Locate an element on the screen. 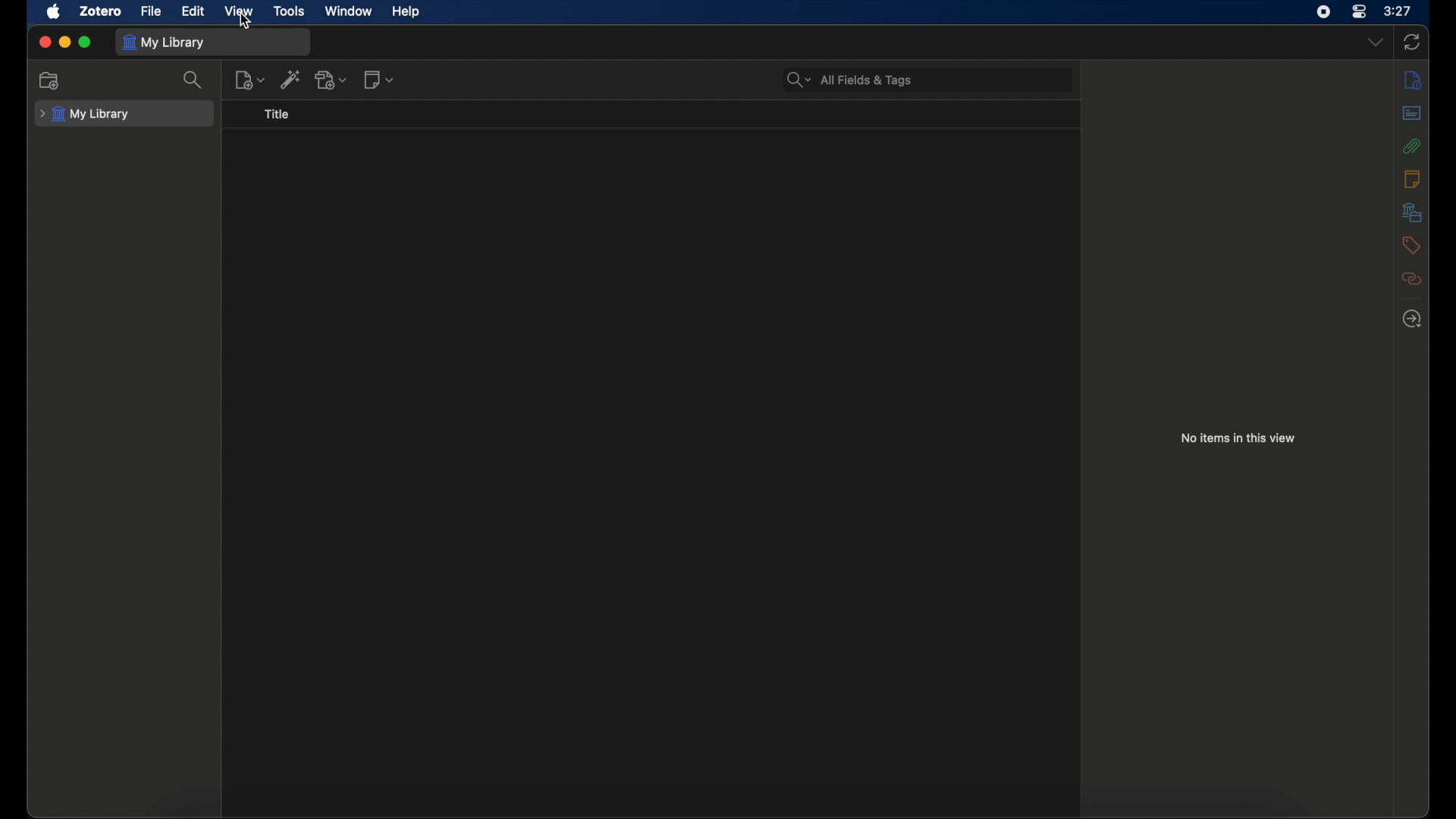 The width and height of the screenshot is (1456, 819). new item is located at coordinates (249, 80).